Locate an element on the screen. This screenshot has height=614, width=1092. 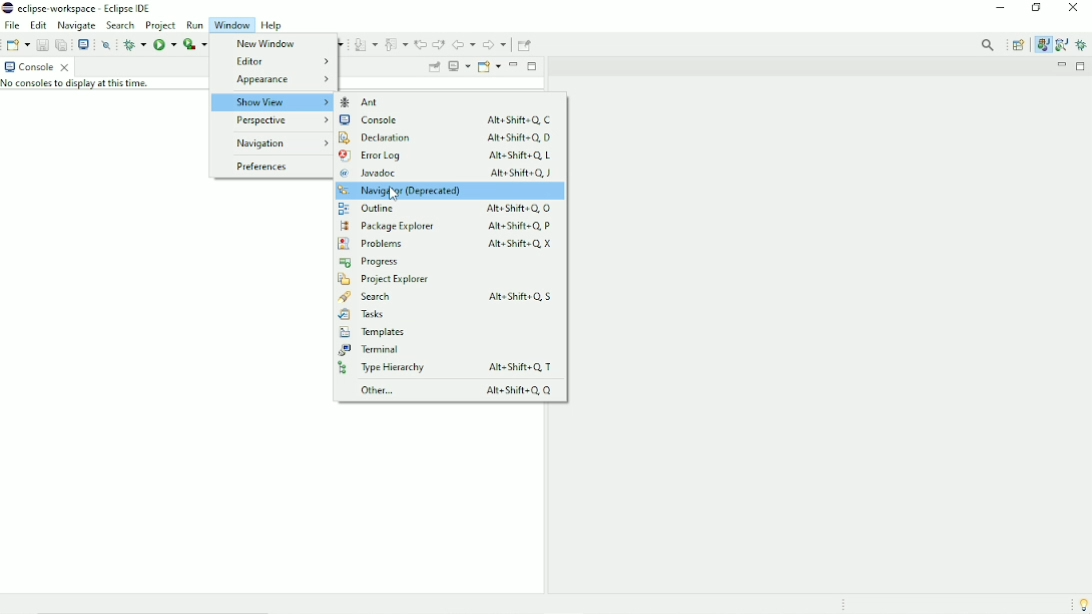
Package Explorer is located at coordinates (450, 225).